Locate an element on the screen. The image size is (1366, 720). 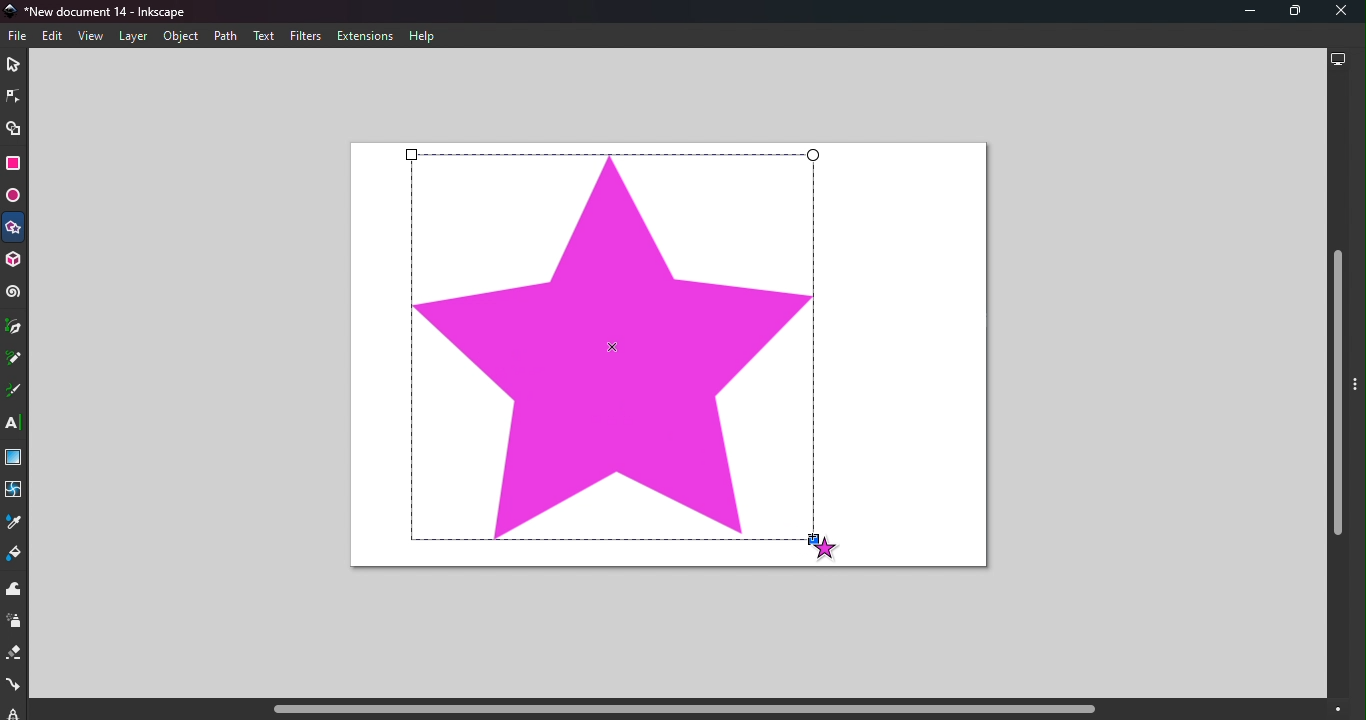
Extensions is located at coordinates (369, 36).